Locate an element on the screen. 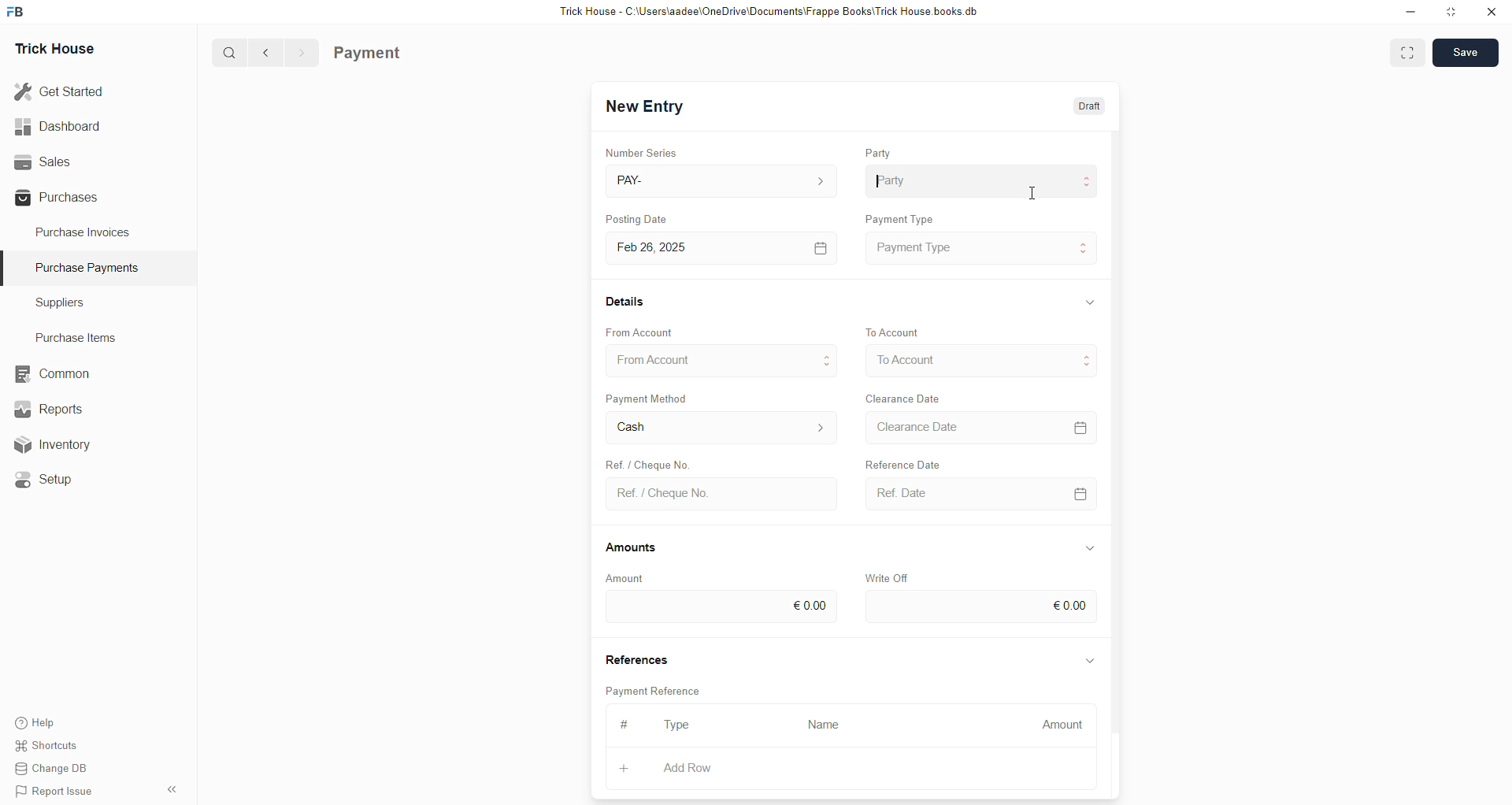 This screenshot has width=1512, height=805. Minimize is located at coordinates (1410, 13).